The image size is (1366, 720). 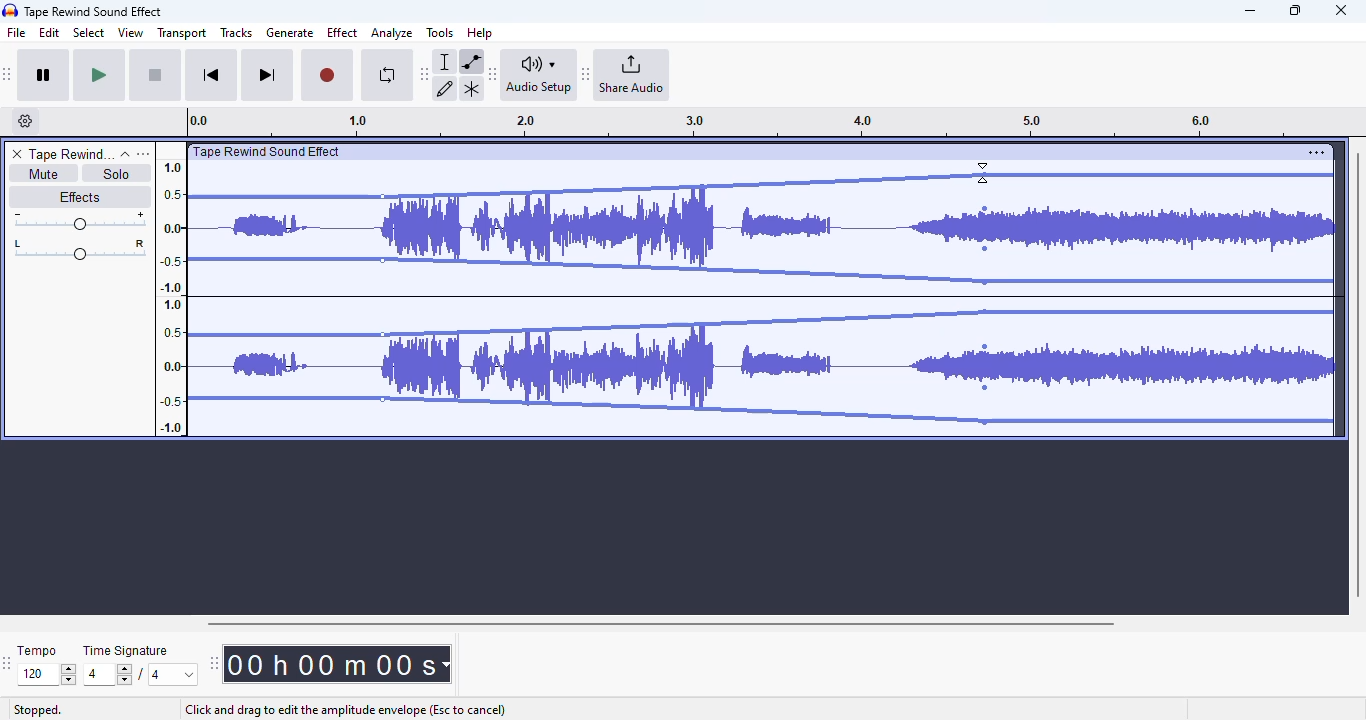 I want to click on track name, so click(x=71, y=155).